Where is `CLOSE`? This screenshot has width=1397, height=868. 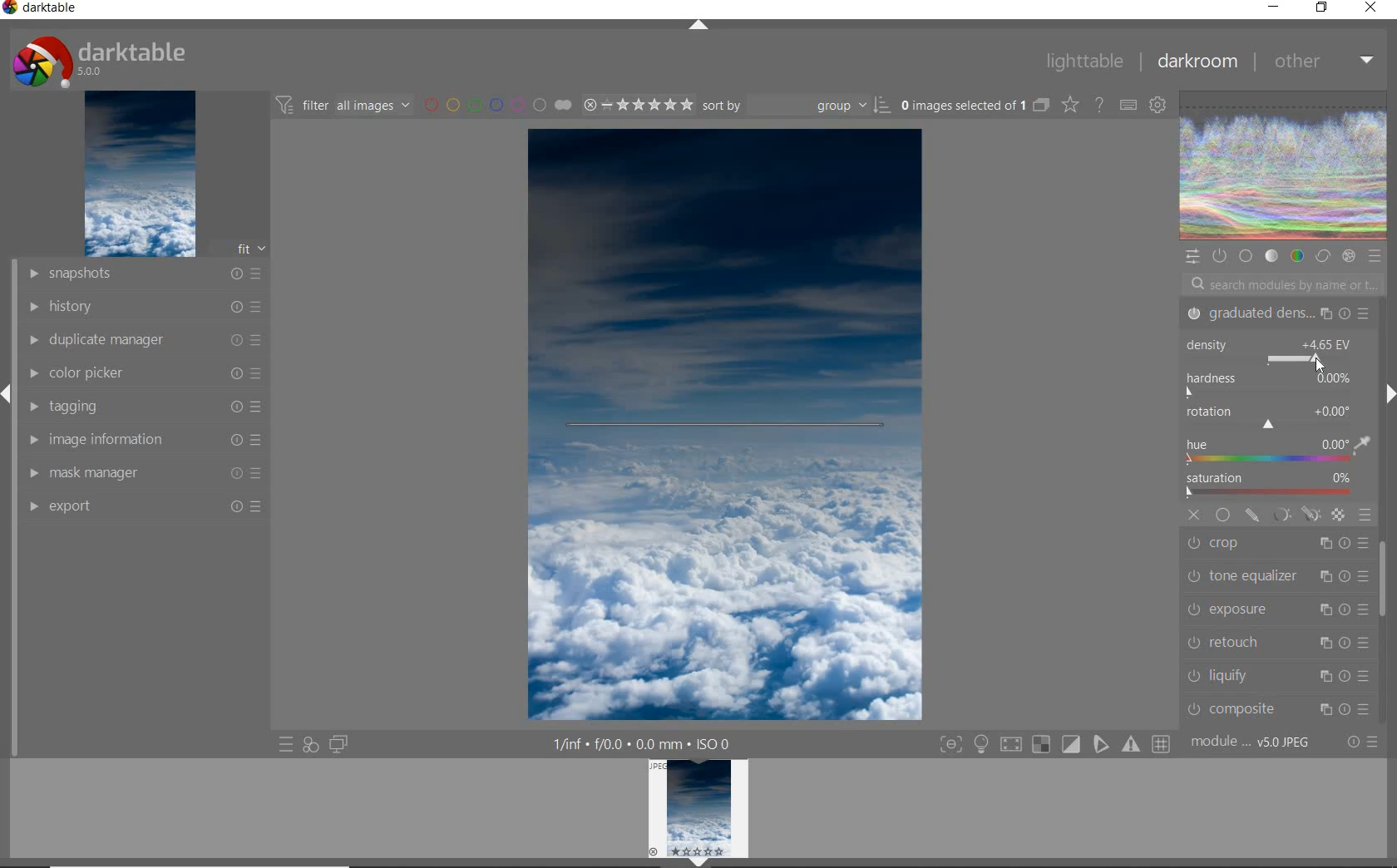
CLOSE is located at coordinates (1371, 8).